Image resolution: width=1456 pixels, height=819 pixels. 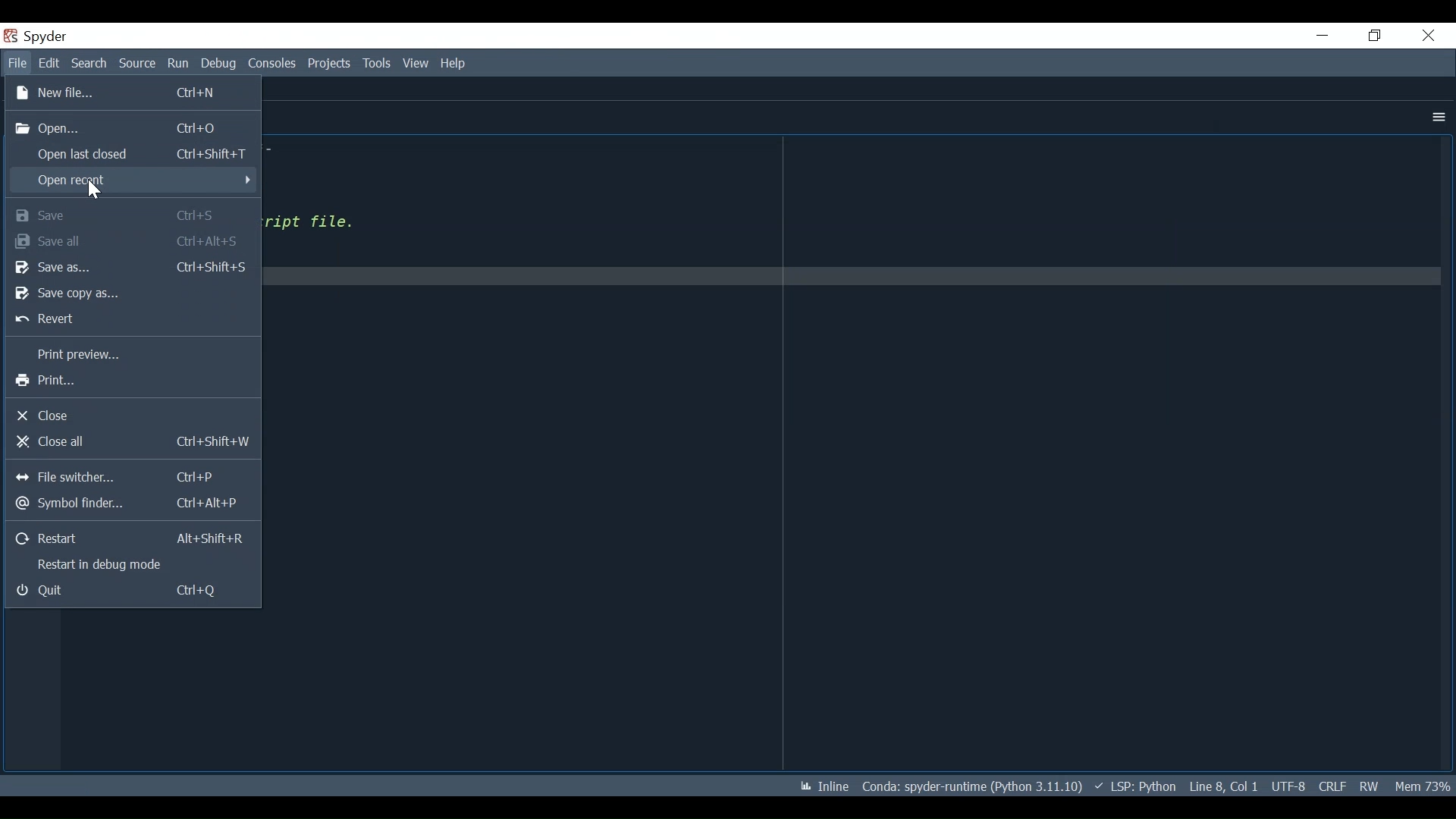 I want to click on Consoles, so click(x=271, y=64).